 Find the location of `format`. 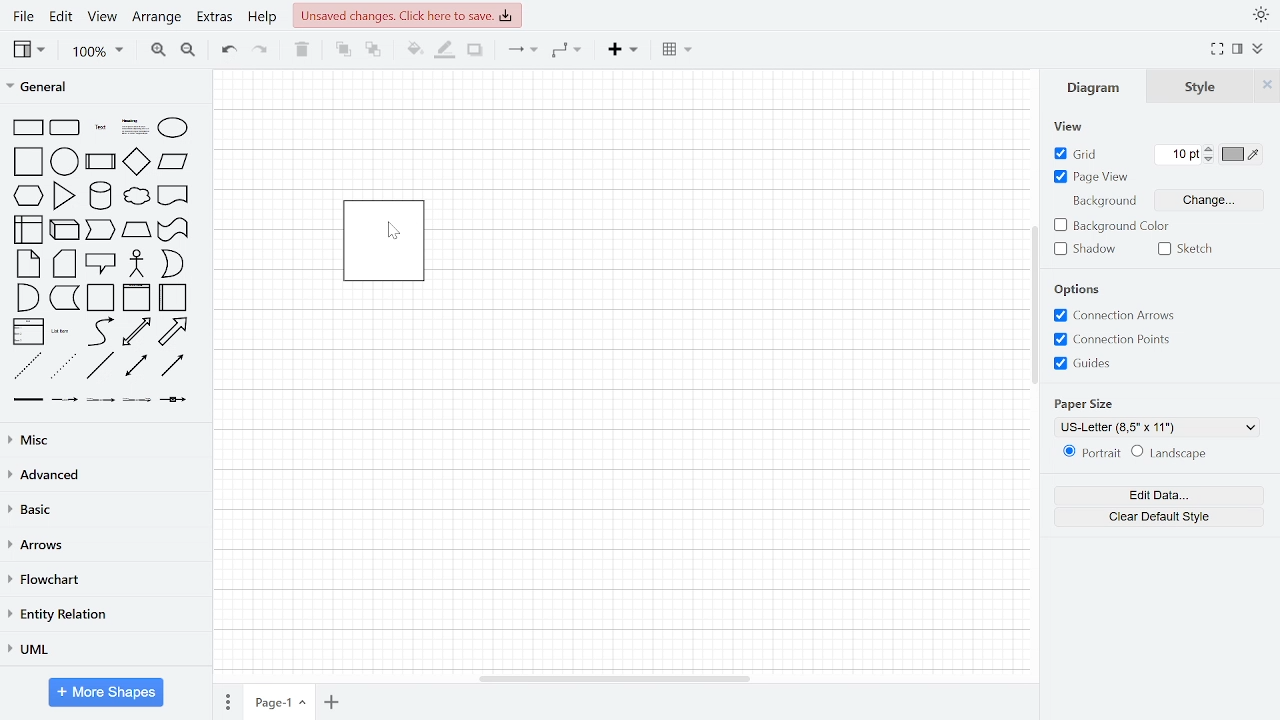

format is located at coordinates (1238, 49).